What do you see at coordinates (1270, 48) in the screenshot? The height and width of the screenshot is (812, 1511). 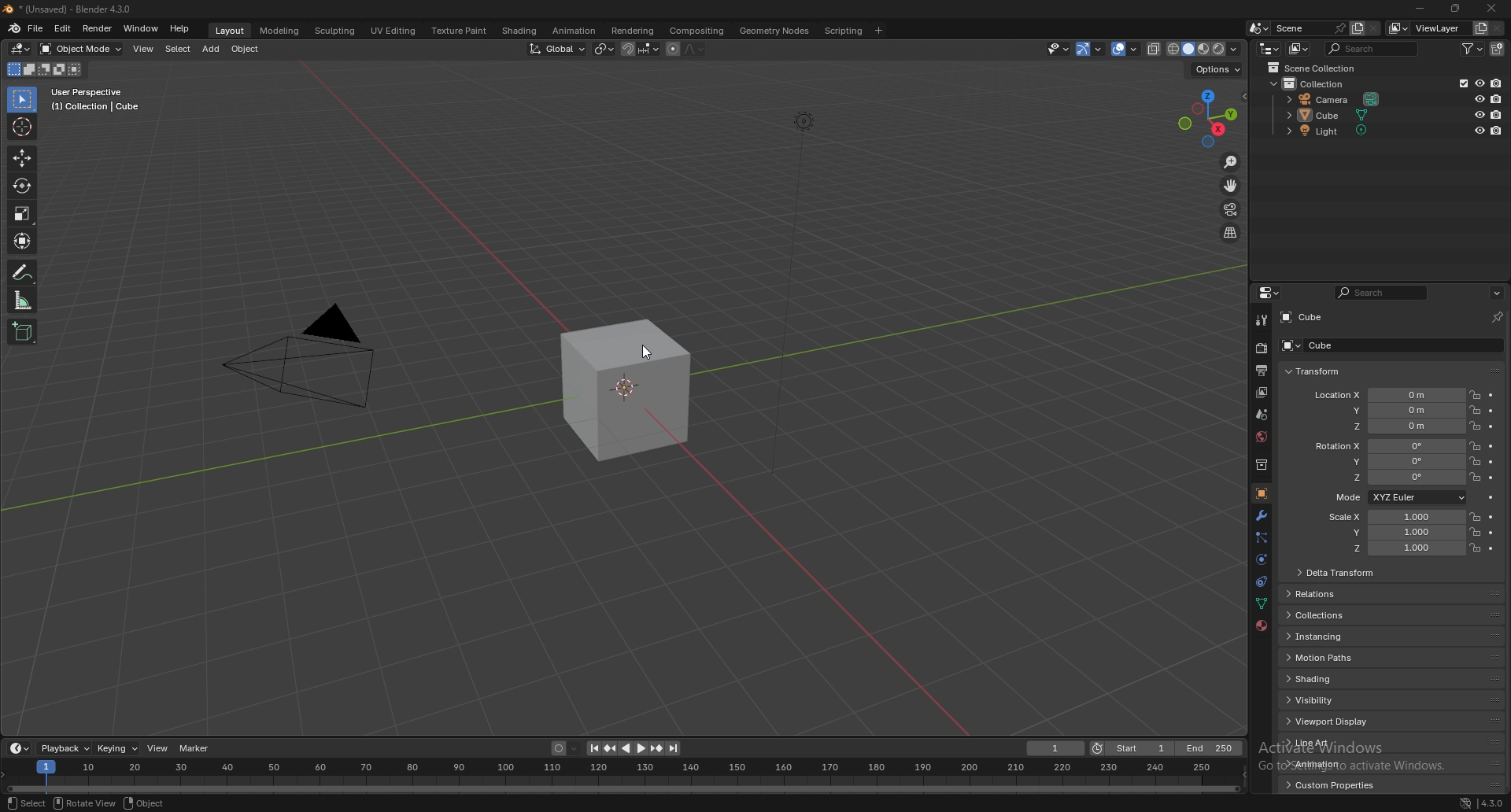 I see `editor type` at bounding box center [1270, 48].